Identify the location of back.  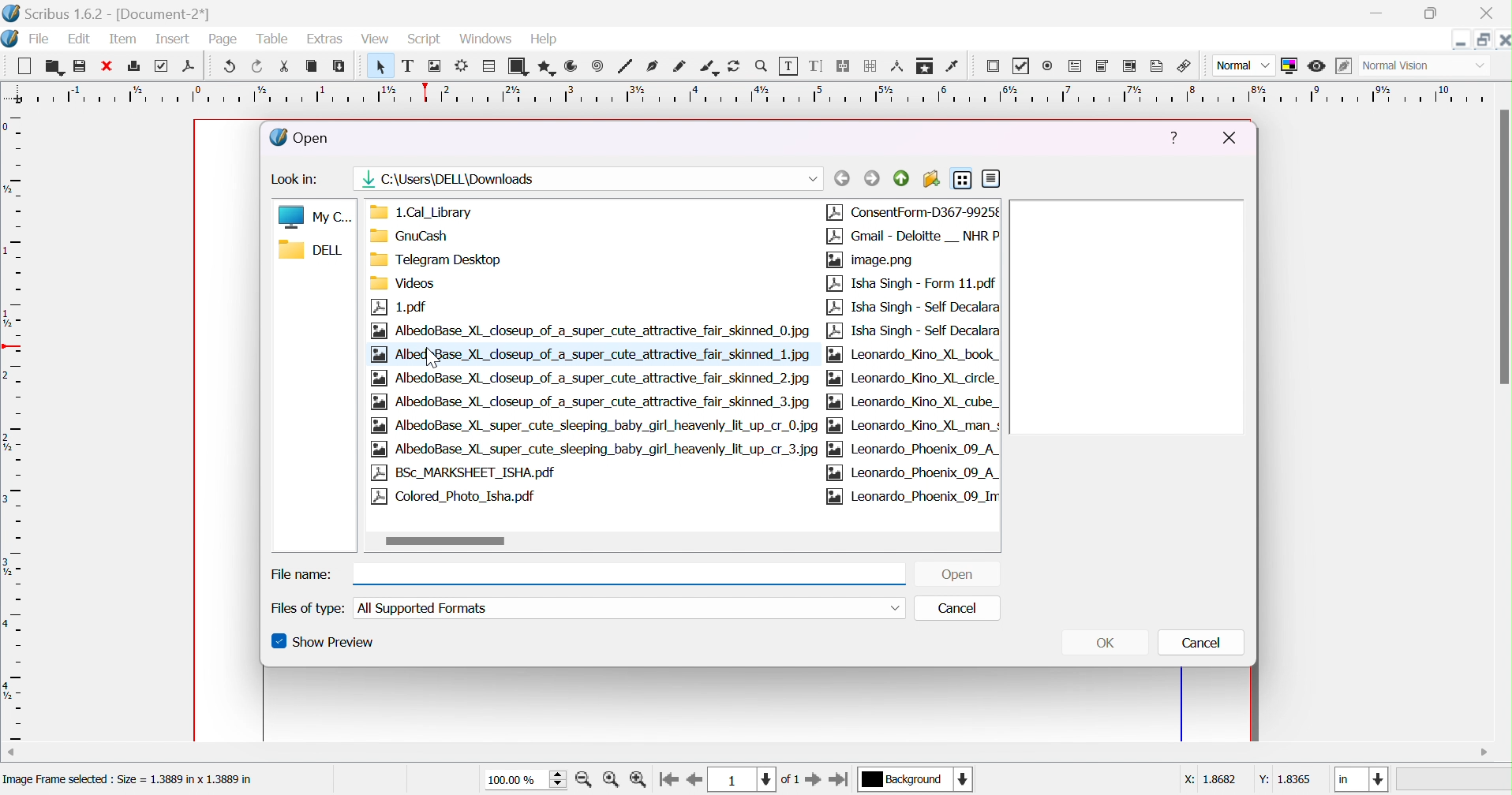
(842, 177).